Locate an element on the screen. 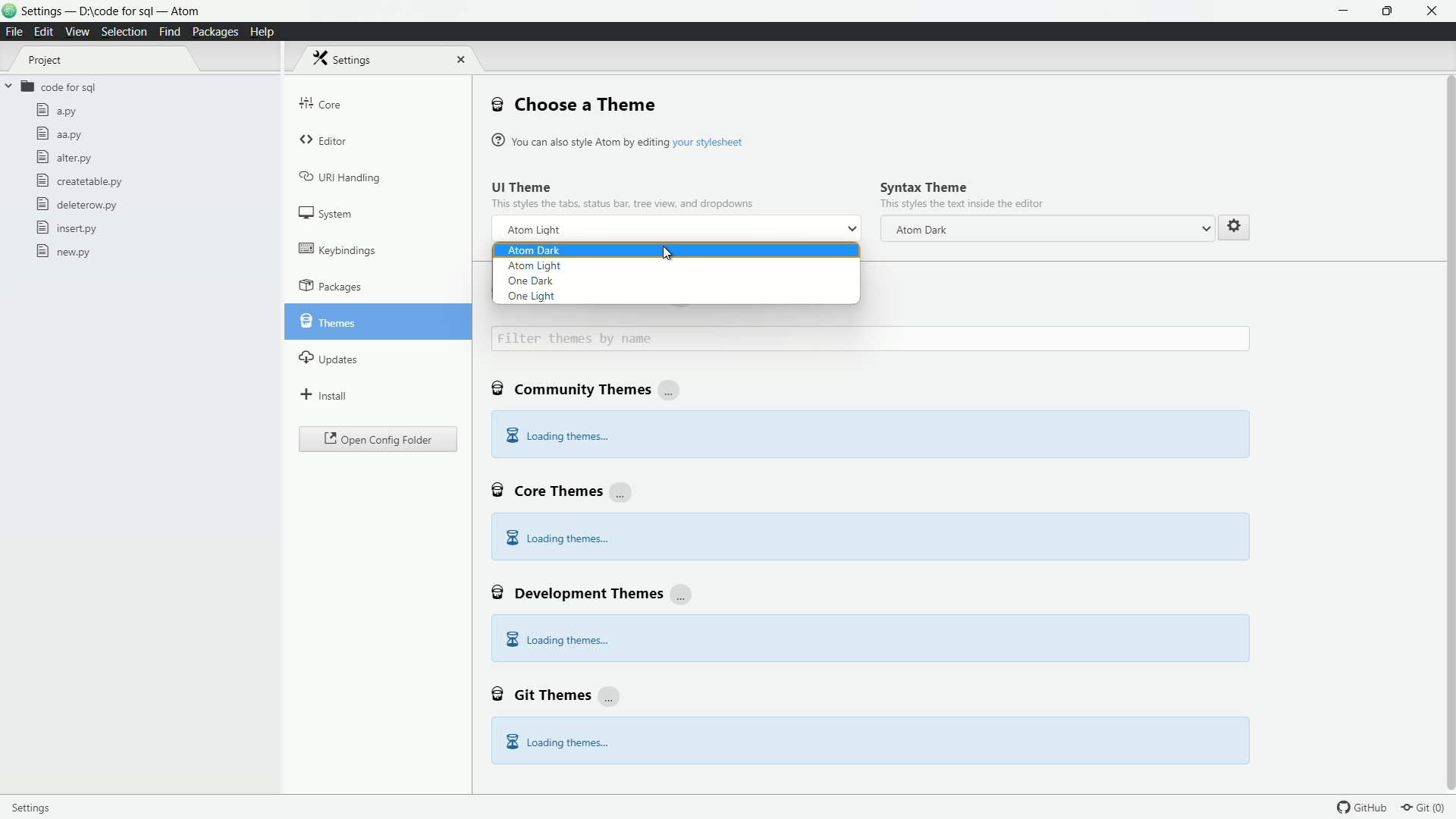  close app is located at coordinates (1434, 11).